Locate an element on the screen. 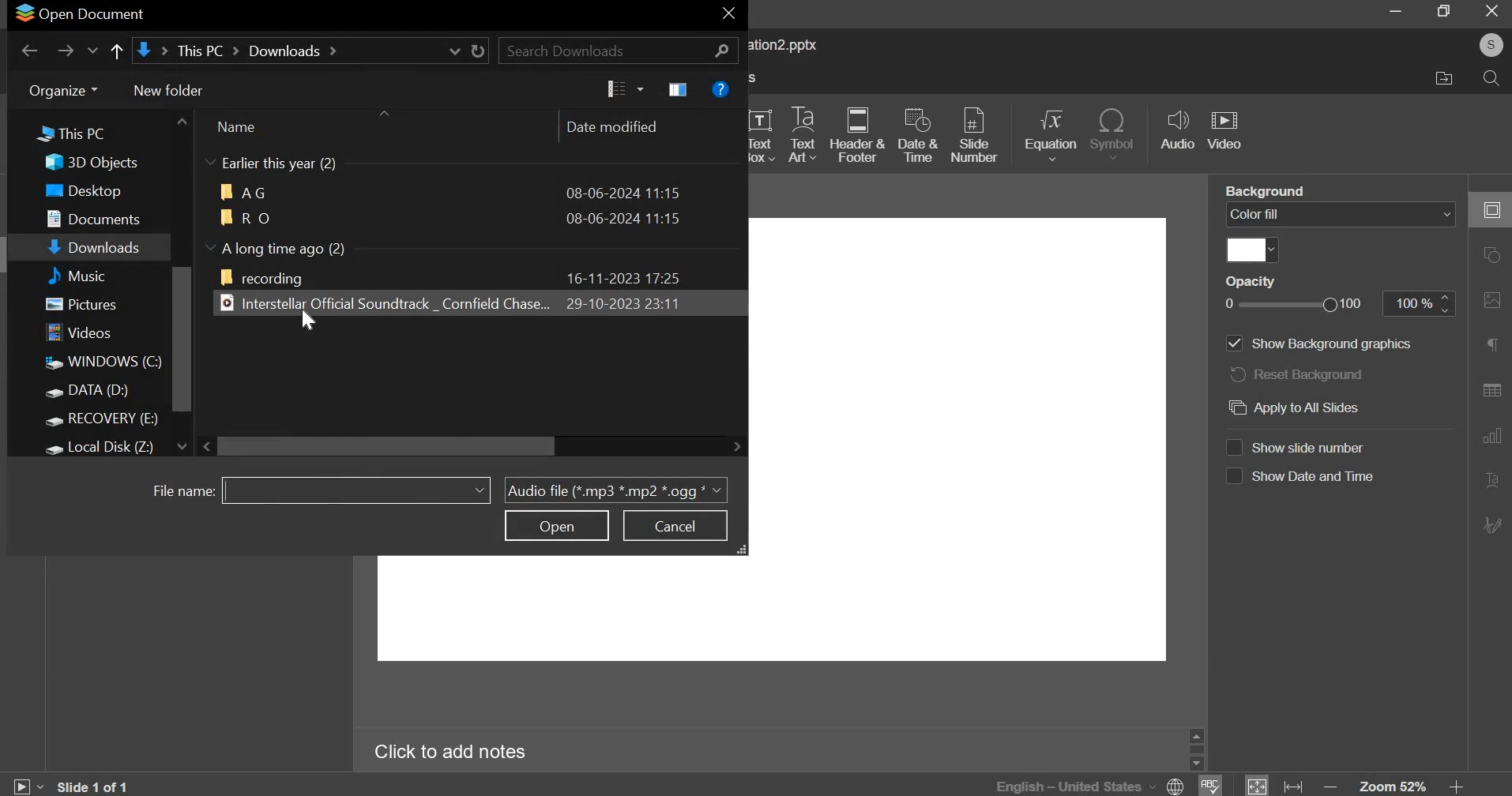 Image resolution: width=1512 pixels, height=796 pixels. change your view is located at coordinates (623, 89).